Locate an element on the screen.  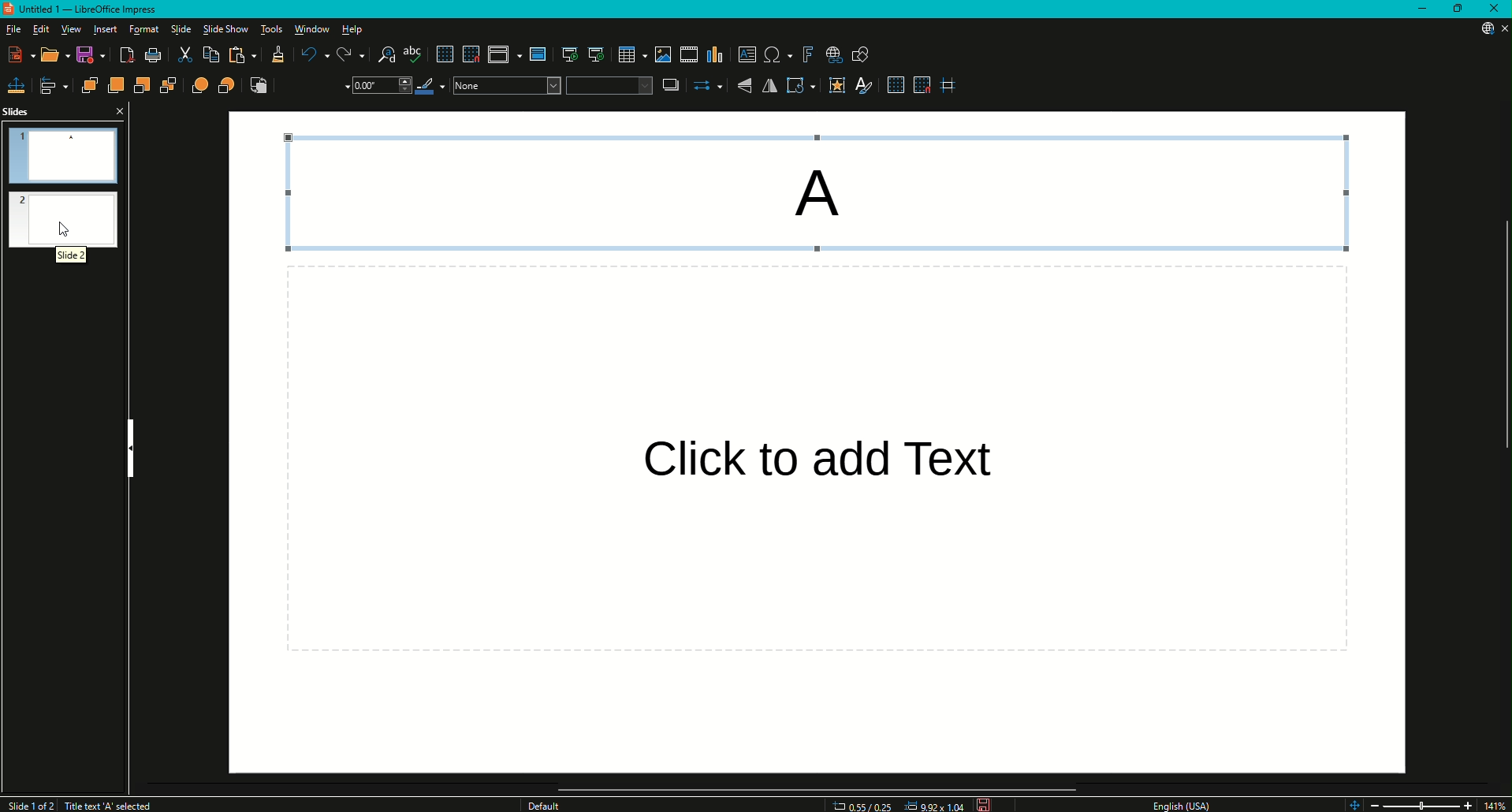
Minimize is located at coordinates (1422, 9).